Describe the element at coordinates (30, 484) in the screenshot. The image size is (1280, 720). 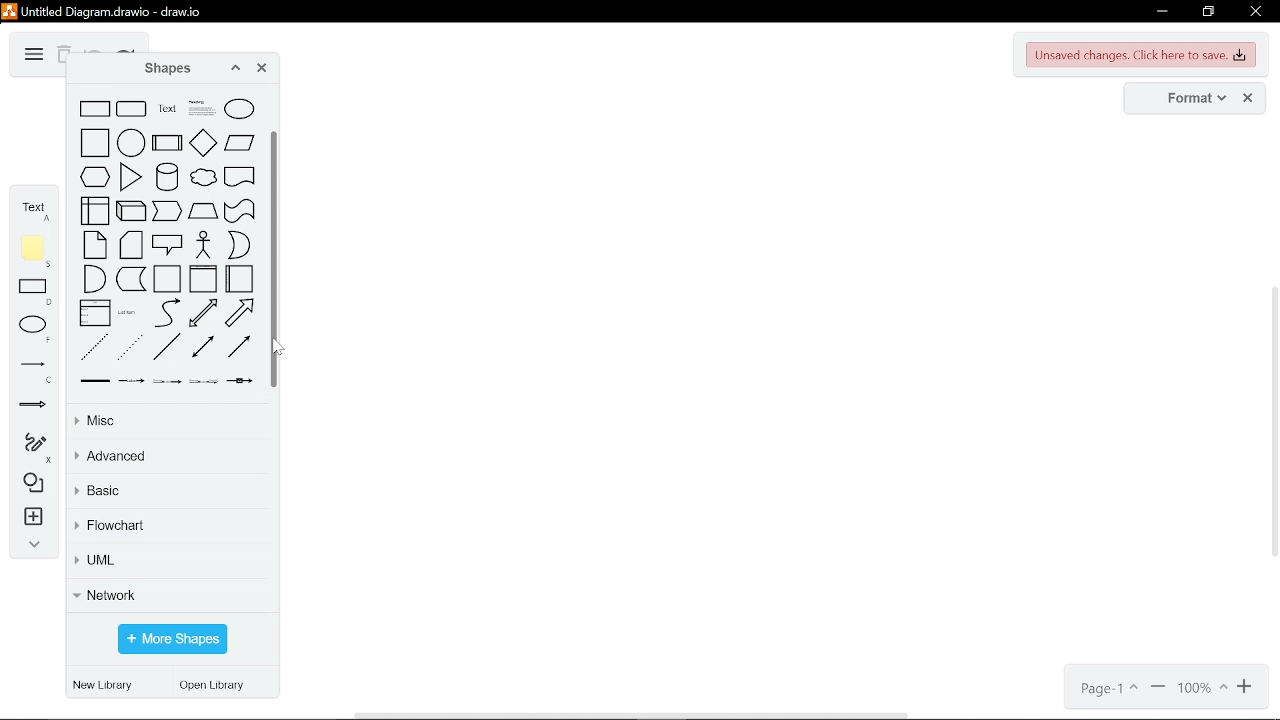
I see `shapes` at that location.